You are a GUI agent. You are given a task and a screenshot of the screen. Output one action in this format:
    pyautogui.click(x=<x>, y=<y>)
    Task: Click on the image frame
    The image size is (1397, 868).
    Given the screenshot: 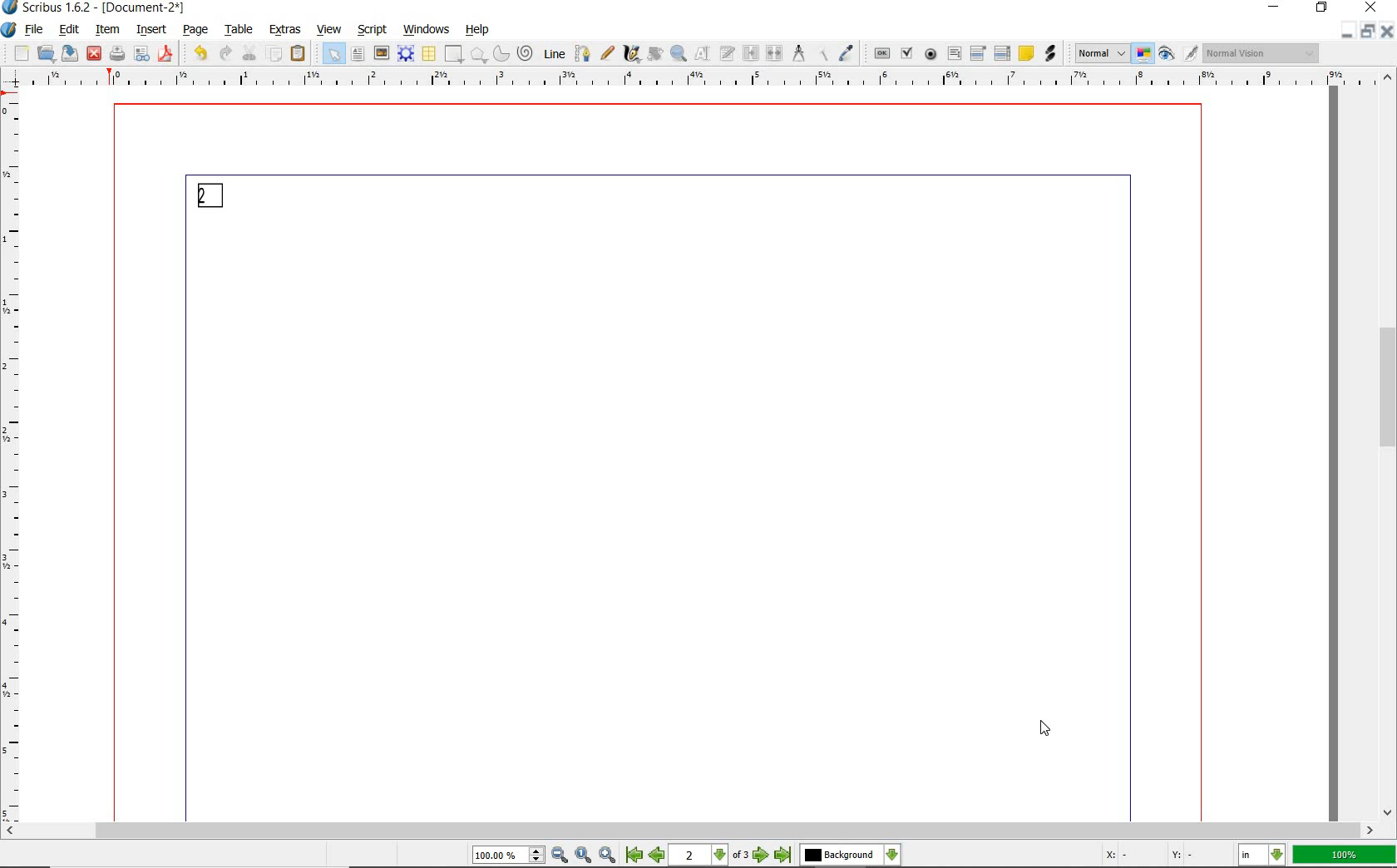 What is the action you would take?
    pyautogui.click(x=380, y=54)
    